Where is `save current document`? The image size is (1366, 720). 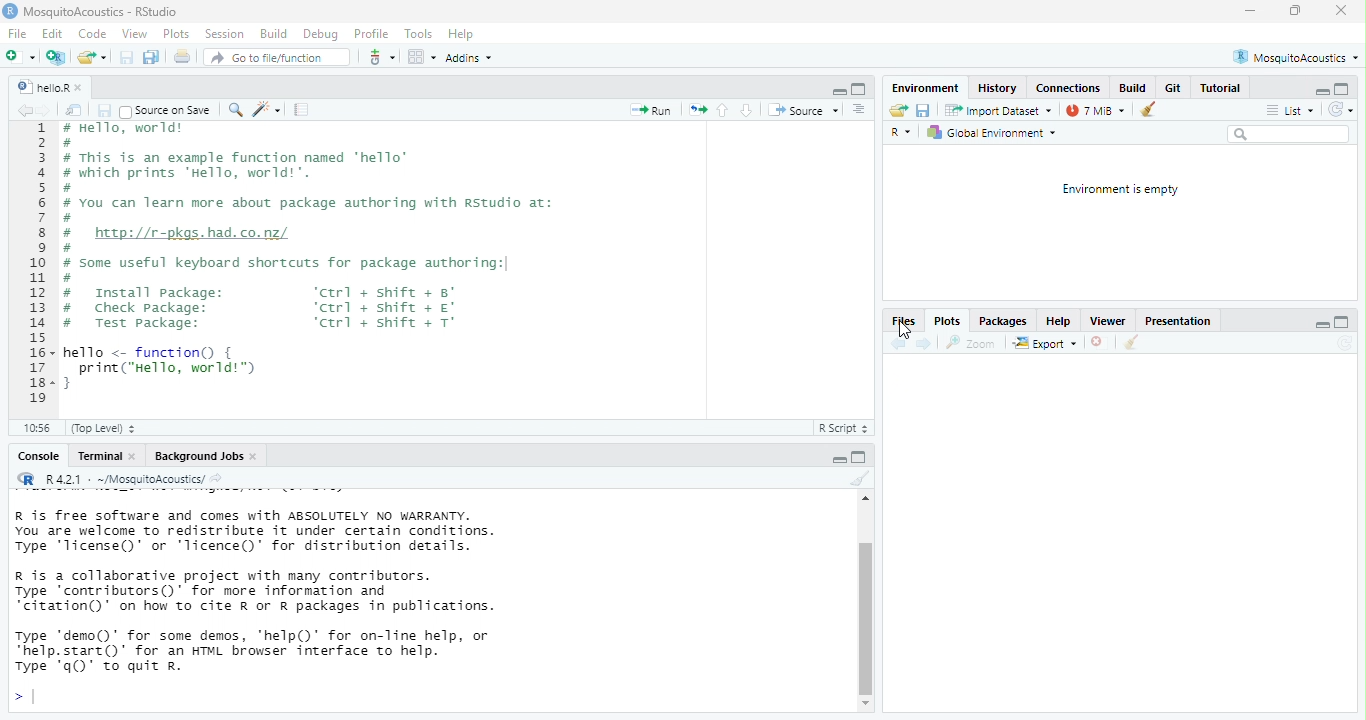 save current document is located at coordinates (128, 57).